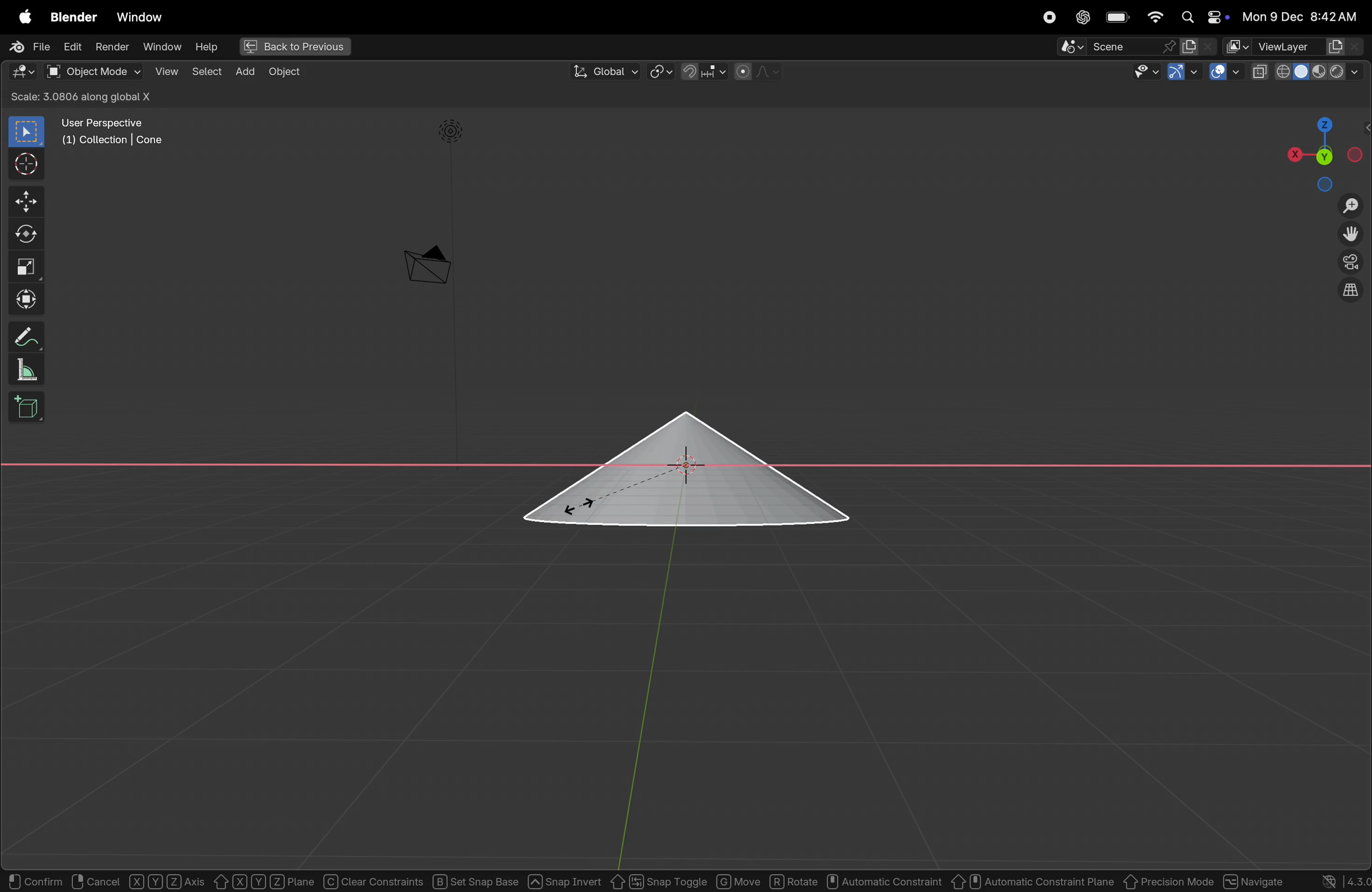  Describe the element at coordinates (661, 72) in the screenshot. I see `transform pviot` at that location.